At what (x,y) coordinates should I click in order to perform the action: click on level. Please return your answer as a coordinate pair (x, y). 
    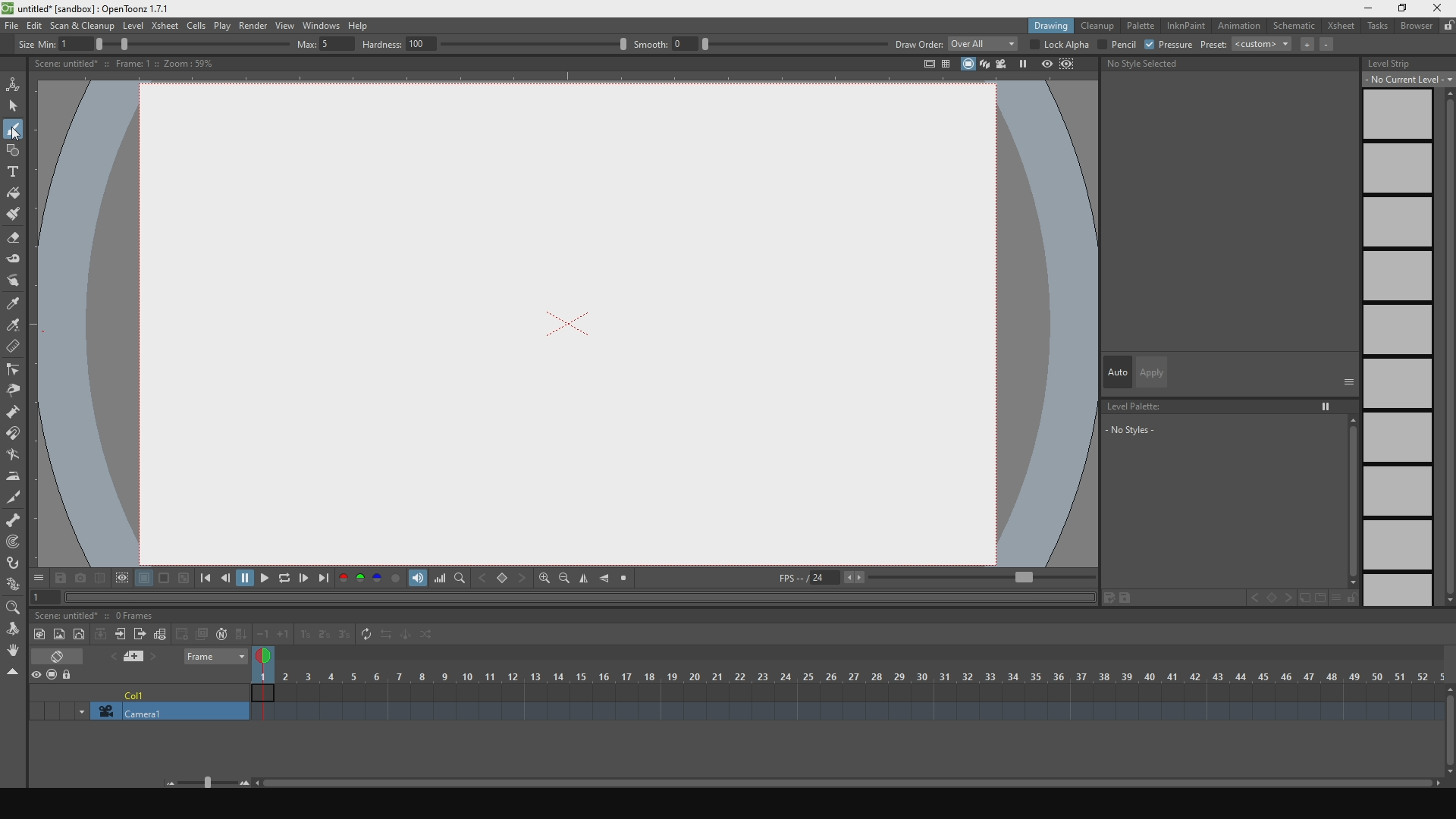
    Looking at the image, I should click on (133, 25).